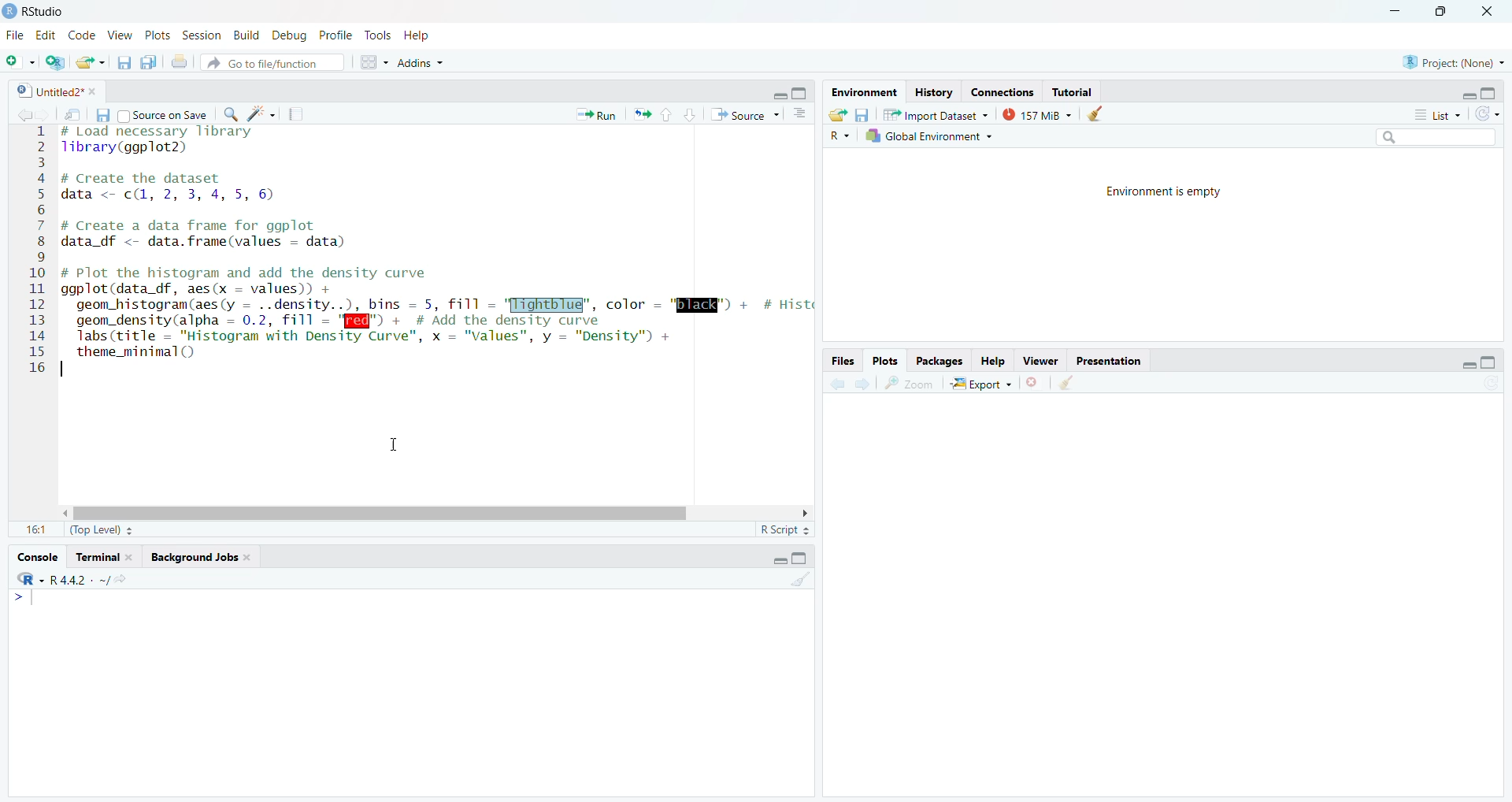 The width and height of the screenshot is (1512, 802). What do you see at coordinates (838, 383) in the screenshot?
I see `previous plot` at bounding box center [838, 383].